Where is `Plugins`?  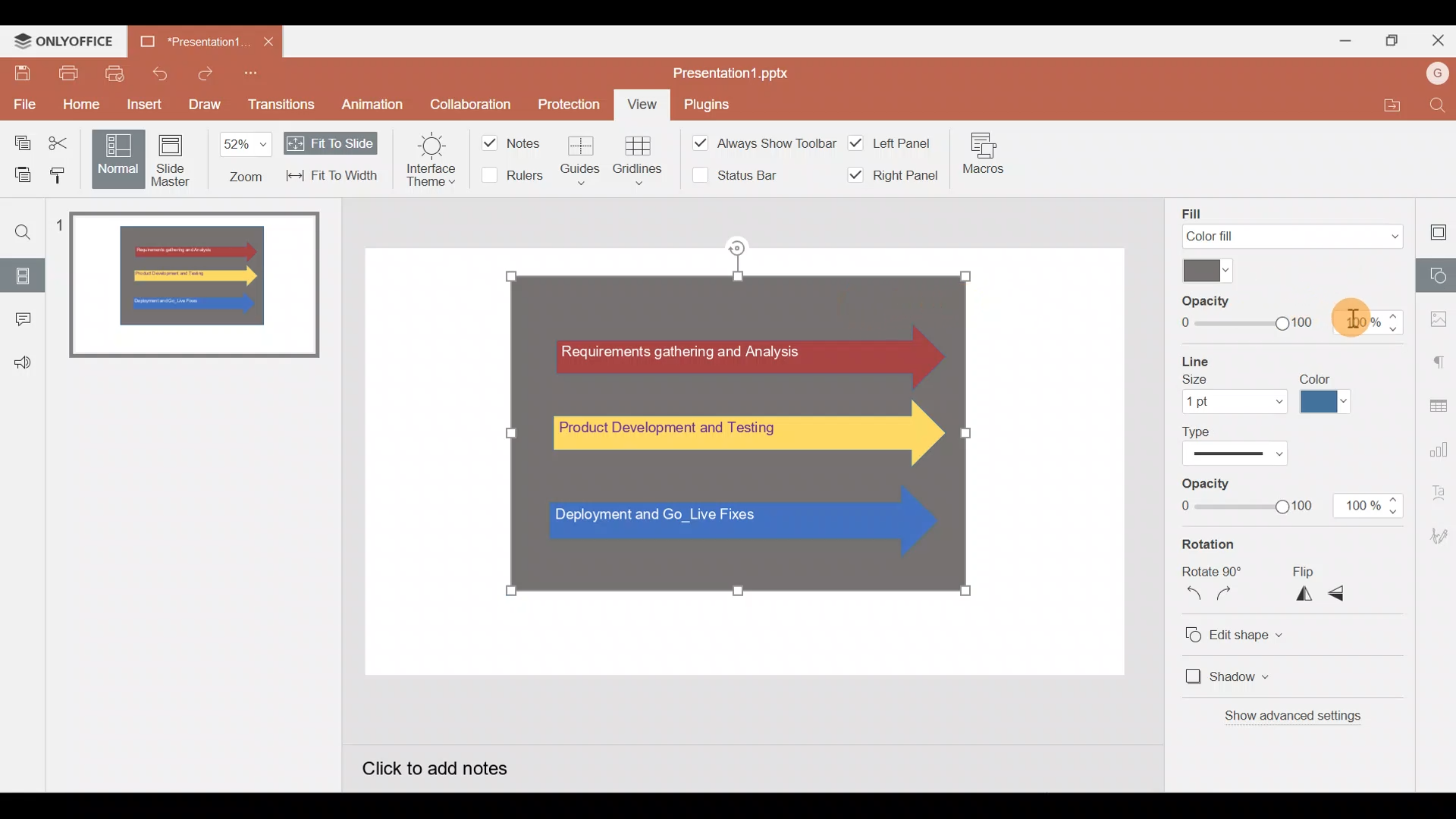
Plugins is located at coordinates (707, 106).